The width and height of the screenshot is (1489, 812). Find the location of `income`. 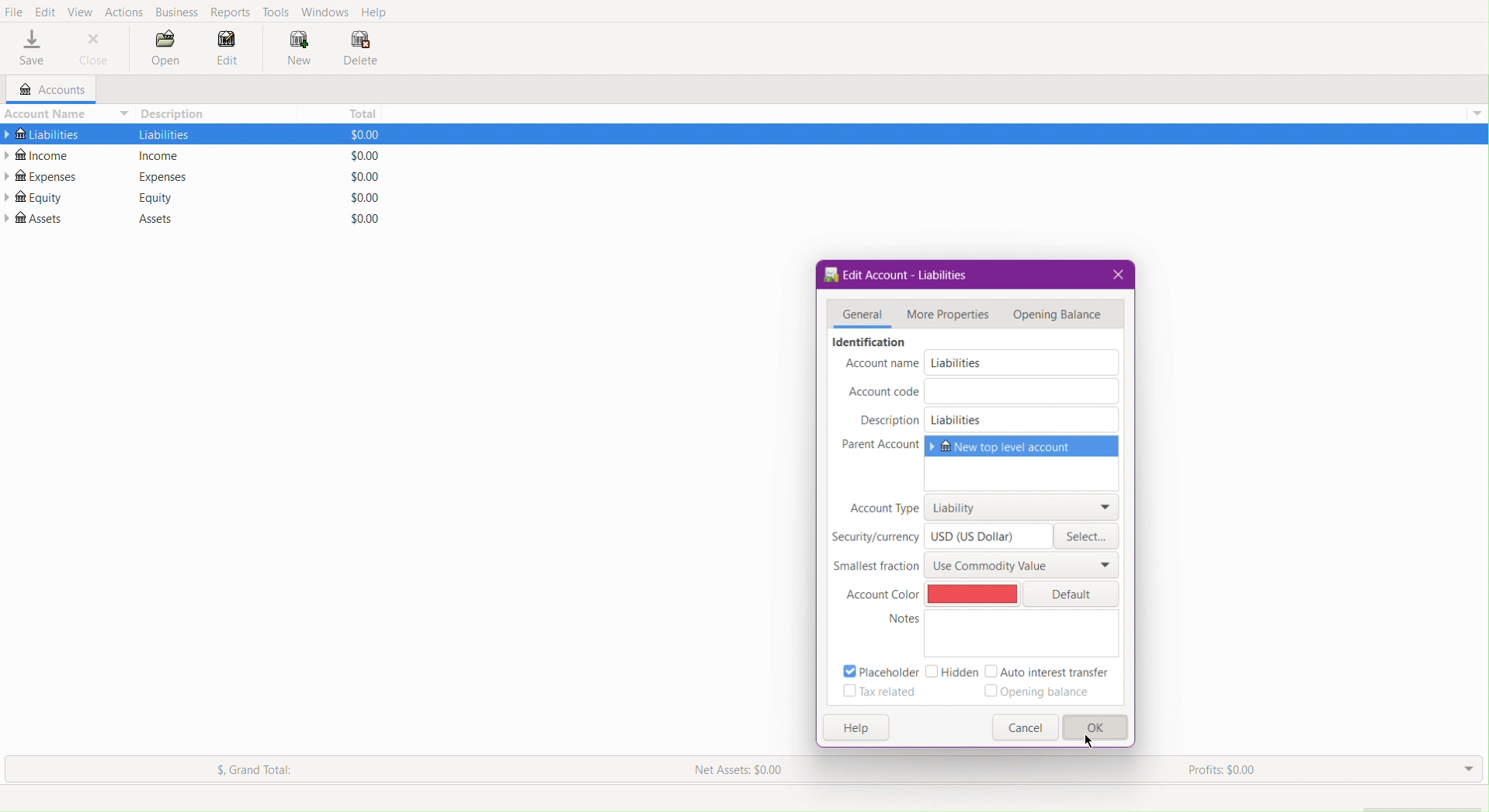

income is located at coordinates (161, 156).